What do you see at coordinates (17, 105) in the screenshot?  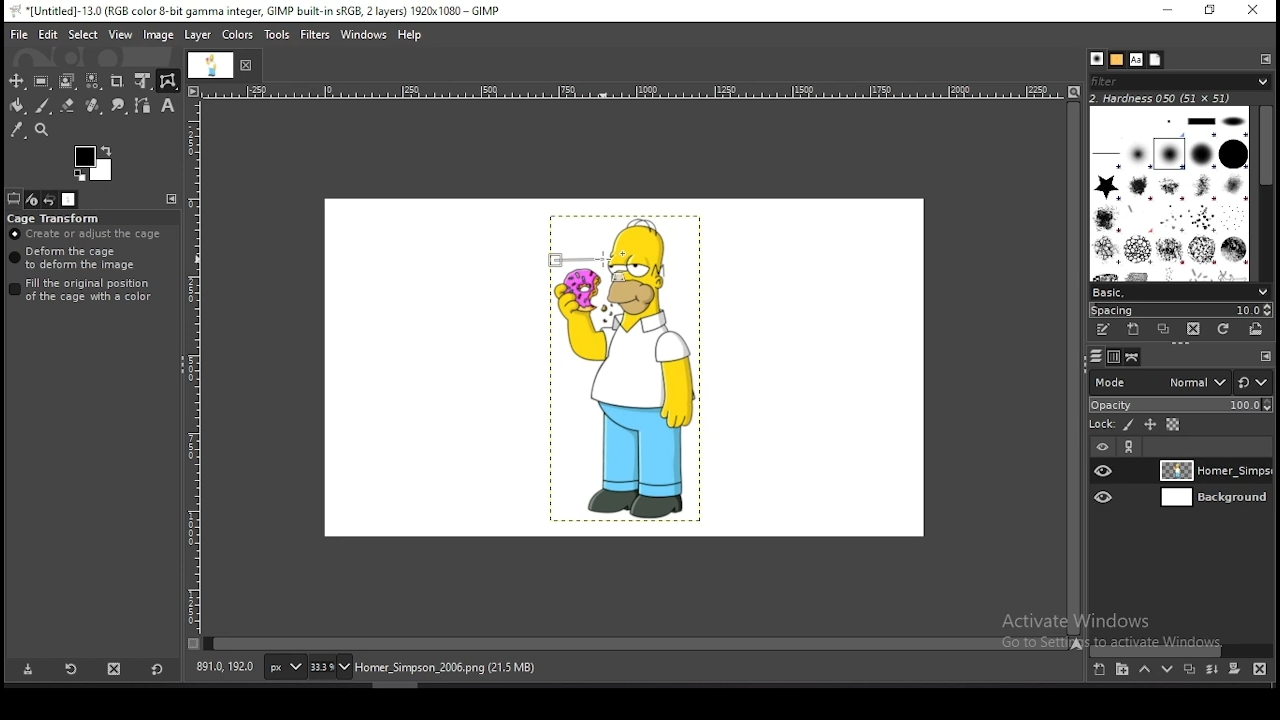 I see `paint bucket tool` at bounding box center [17, 105].